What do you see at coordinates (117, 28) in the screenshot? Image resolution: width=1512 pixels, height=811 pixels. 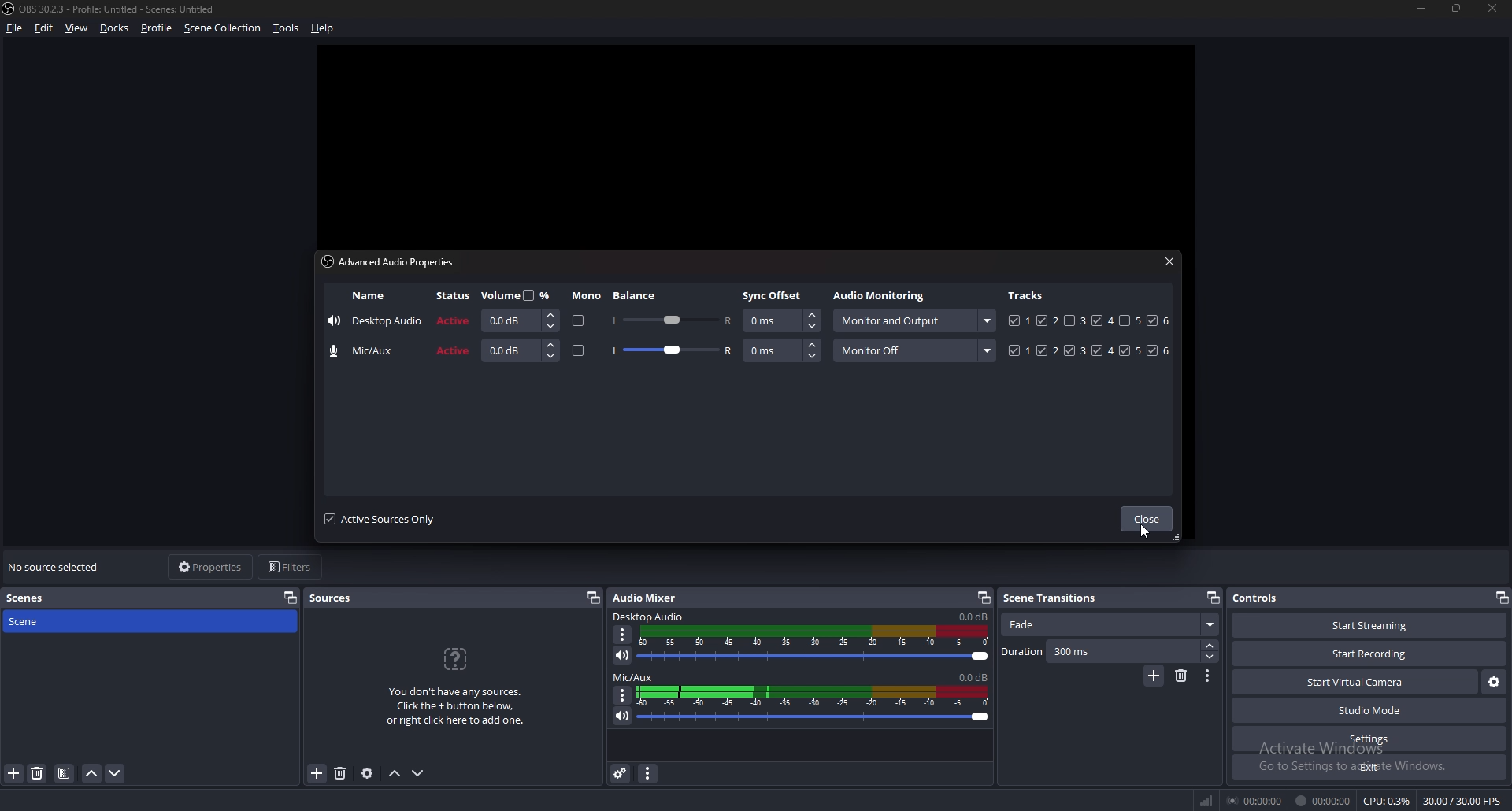 I see `docks` at bounding box center [117, 28].